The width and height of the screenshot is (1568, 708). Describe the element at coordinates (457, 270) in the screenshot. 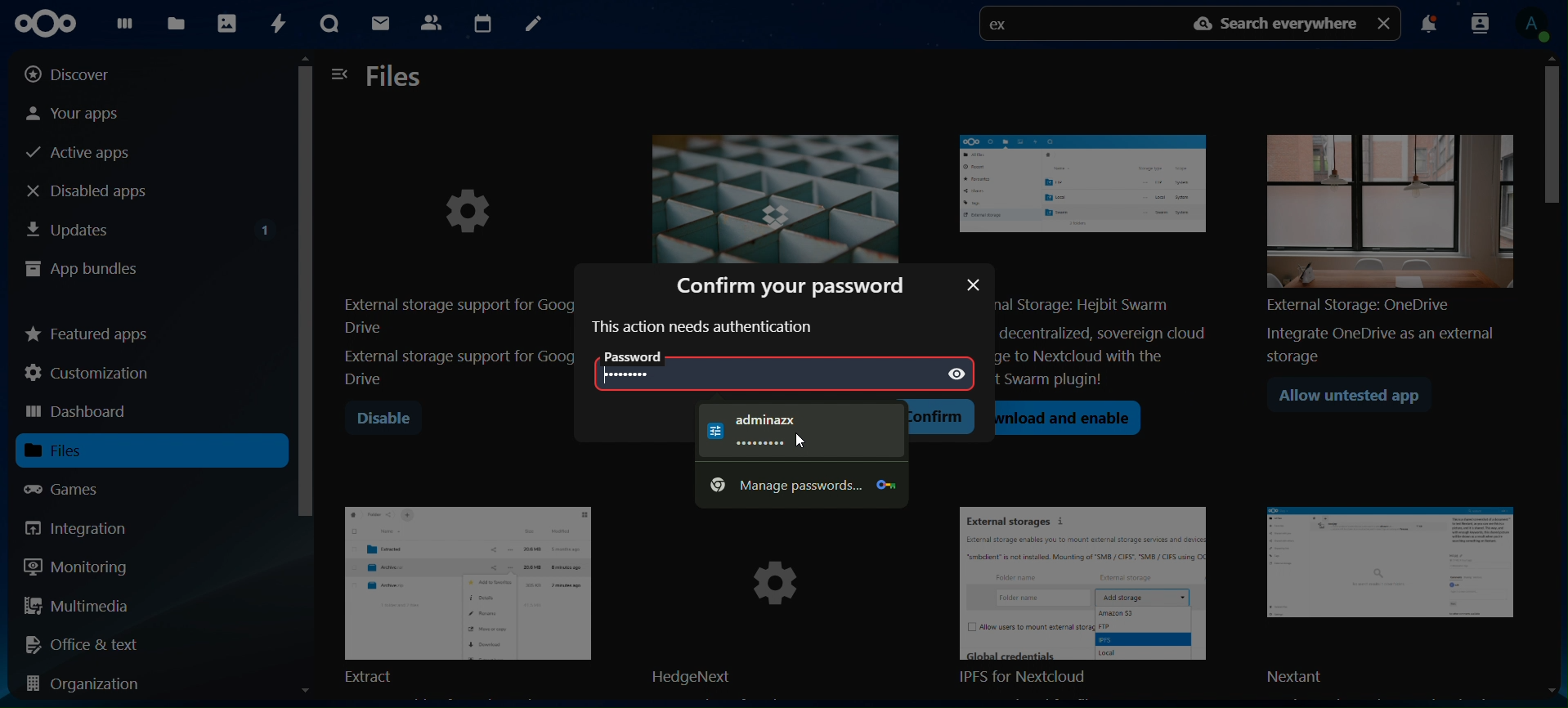

I see `external storage support for google drive external storage support for google drive` at that location.